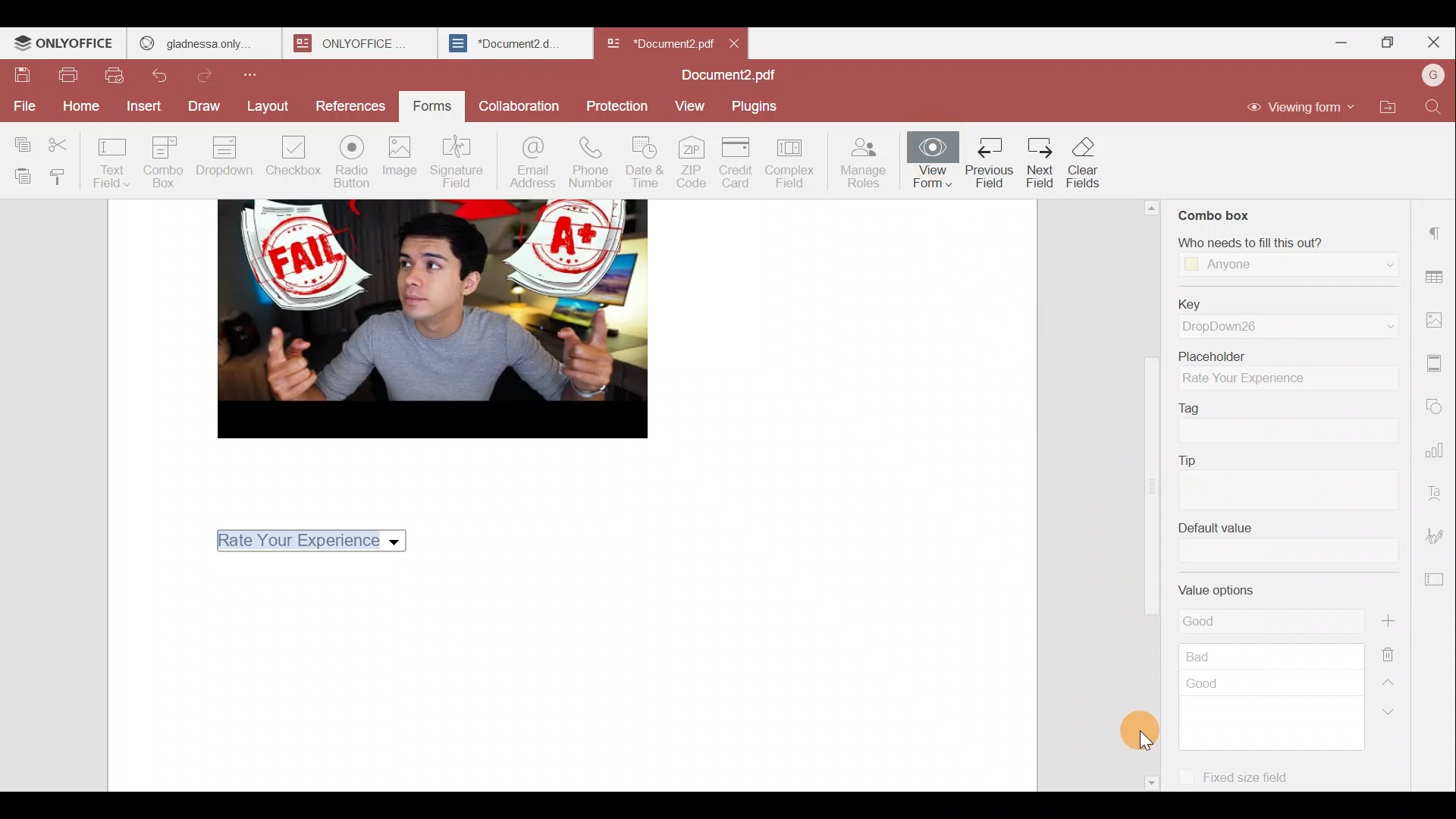  I want to click on Default value, so click(1287, 542).